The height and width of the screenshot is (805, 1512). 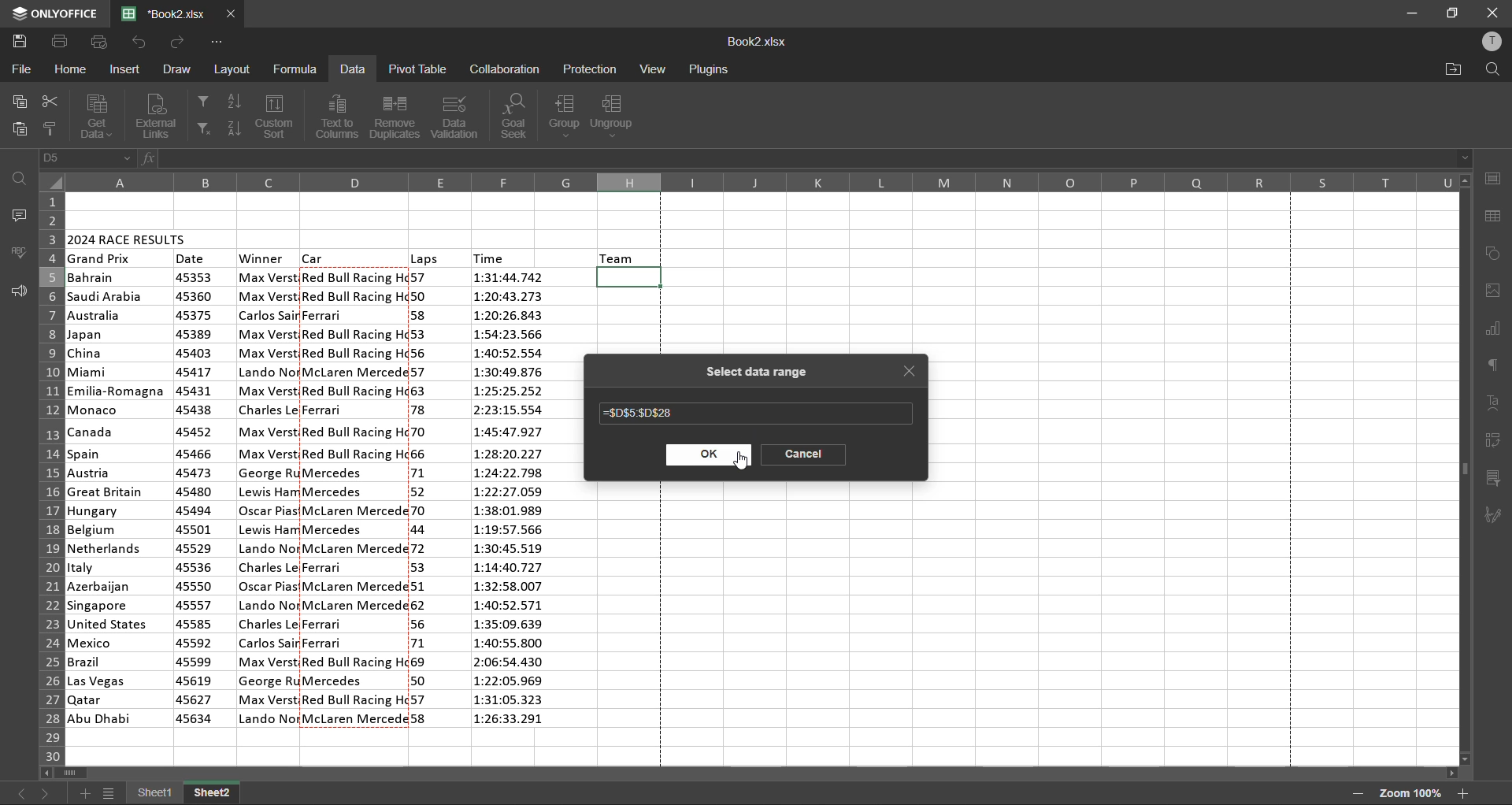 I want to click on country names, so click(x=117, y=498).